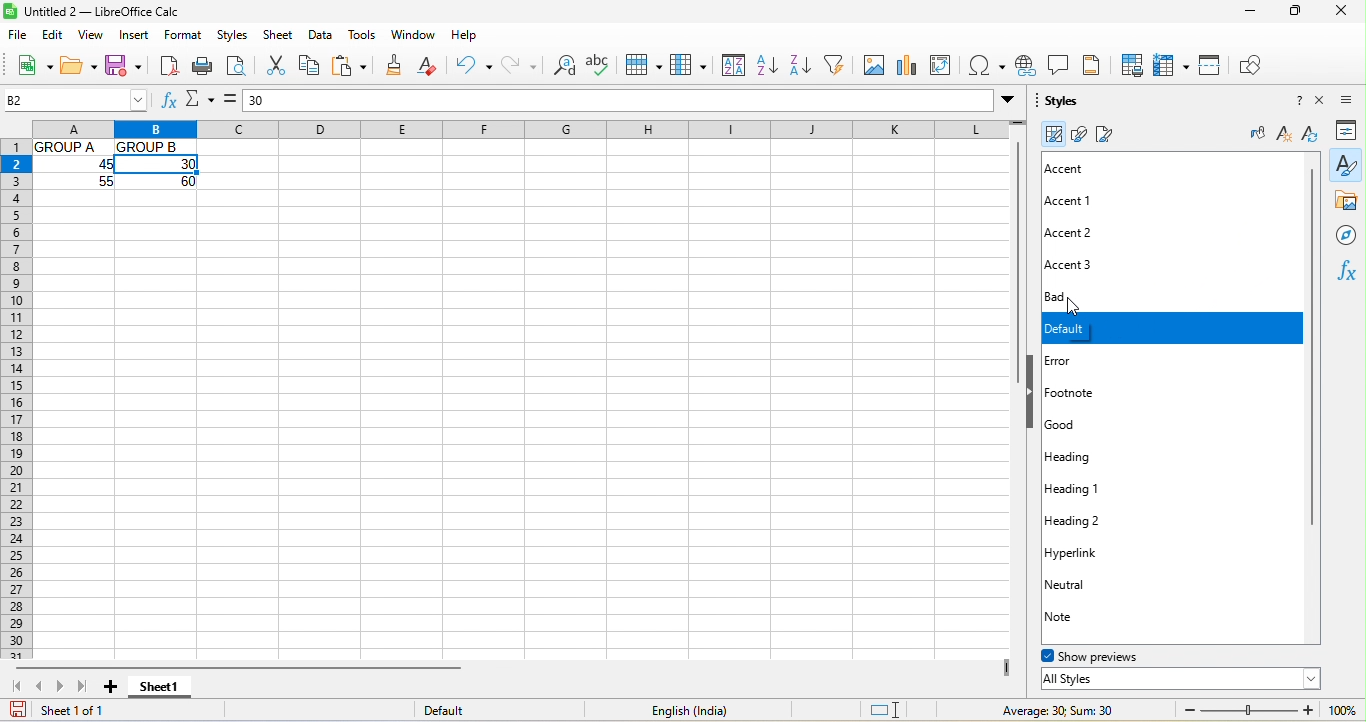 The height and width of the screenshot is (722, 1366). I want to click on hypelink, so click(1028, 65).